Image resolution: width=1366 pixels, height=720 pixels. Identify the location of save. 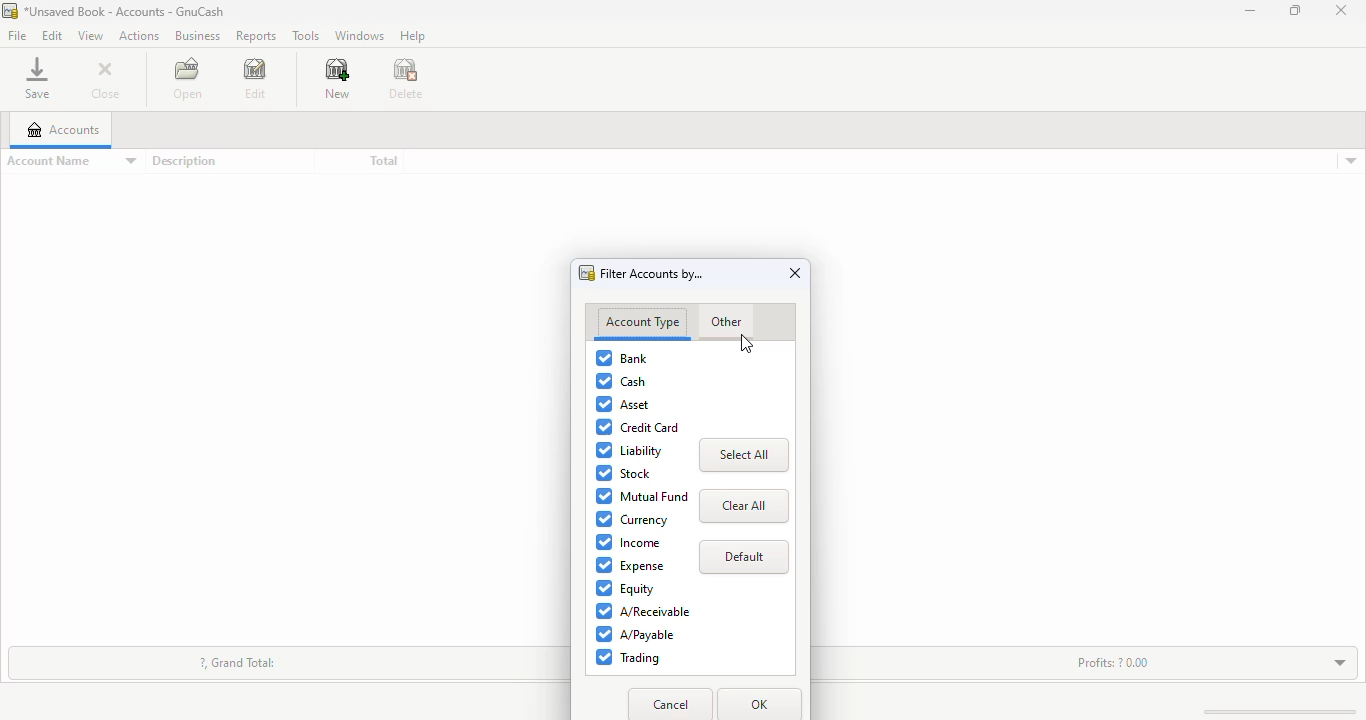
(37, 78).